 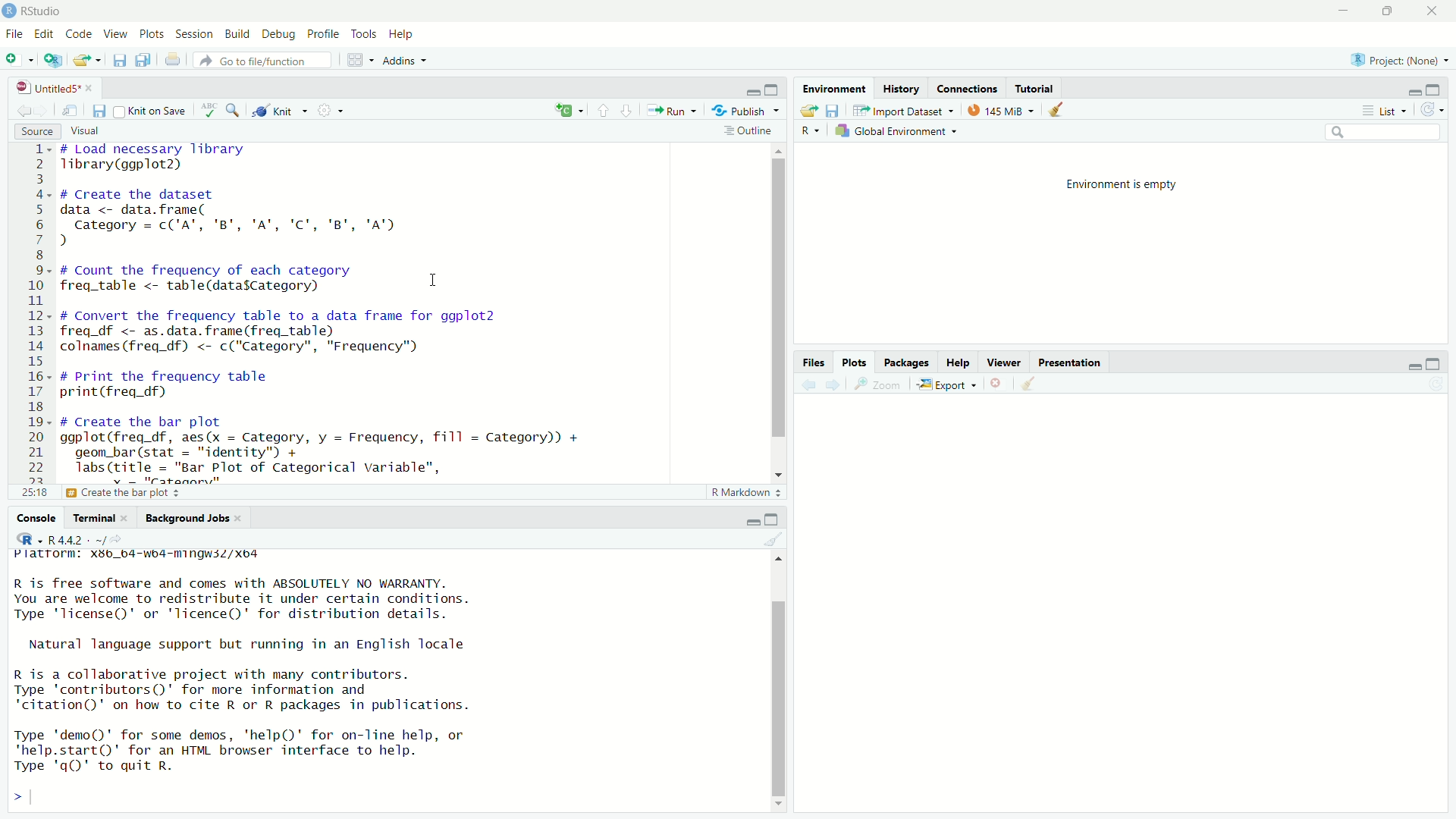 I want to click on minimize, so click(x=1413, y=368).